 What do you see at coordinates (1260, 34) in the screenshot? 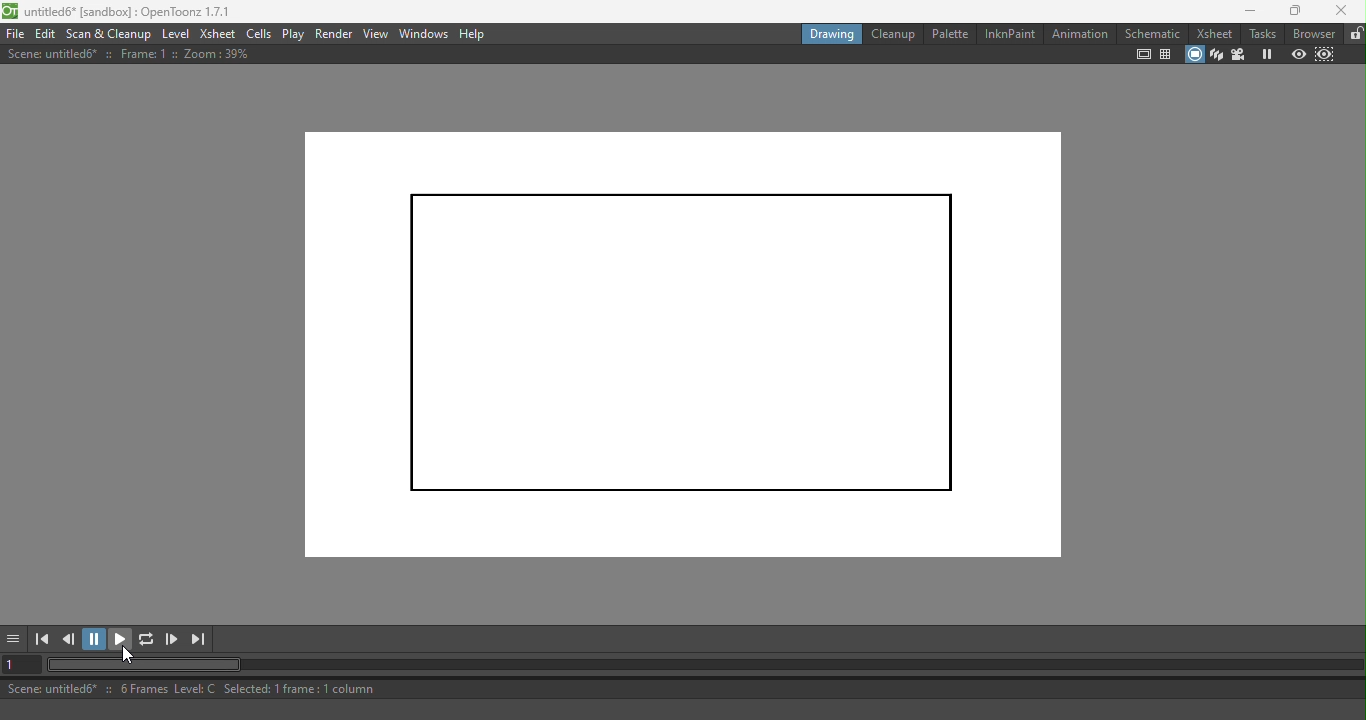
I see `Tasks` at bounding box center [1260, 34].